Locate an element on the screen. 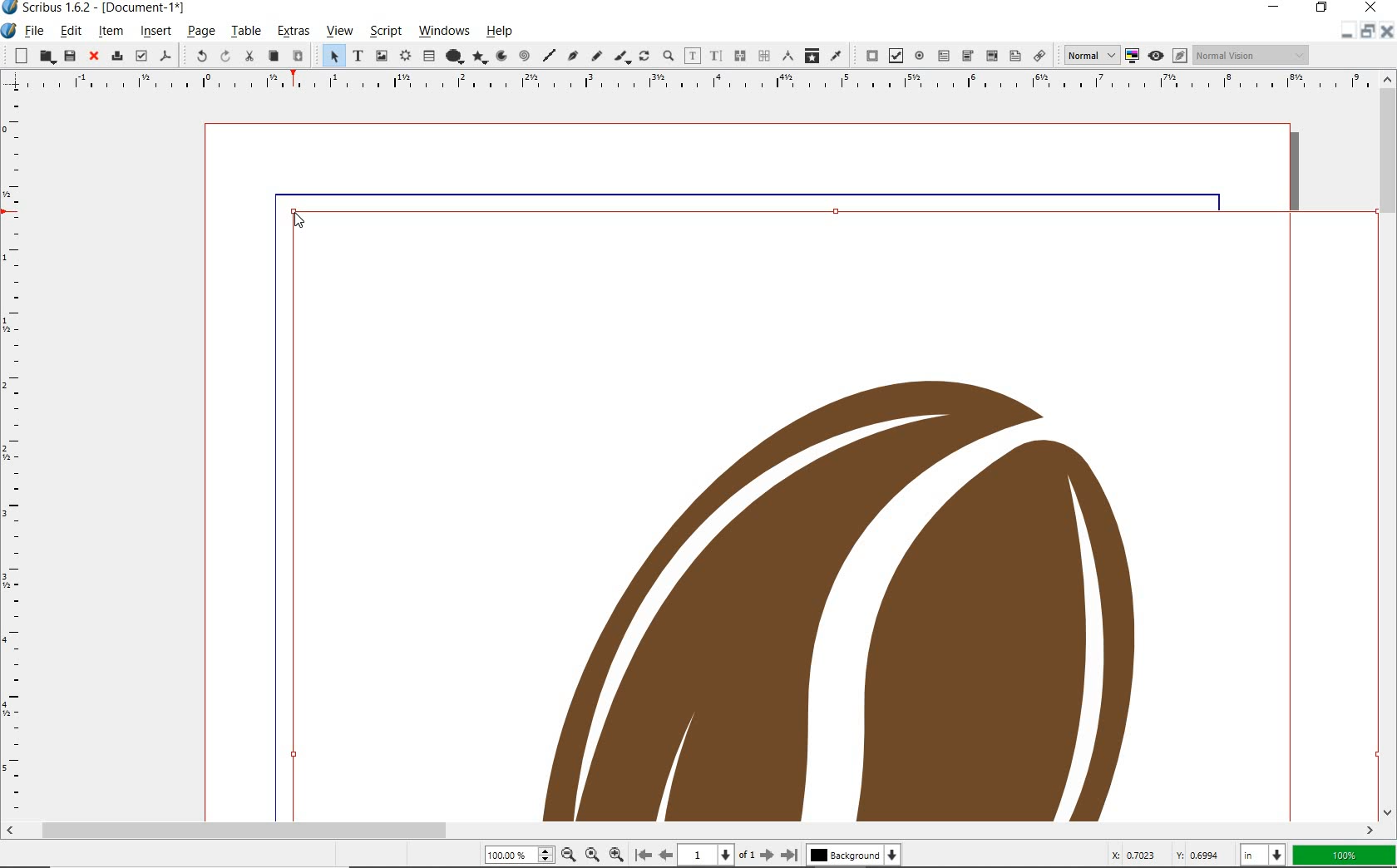  Vertical Margin is located at coordinates (14, 458).